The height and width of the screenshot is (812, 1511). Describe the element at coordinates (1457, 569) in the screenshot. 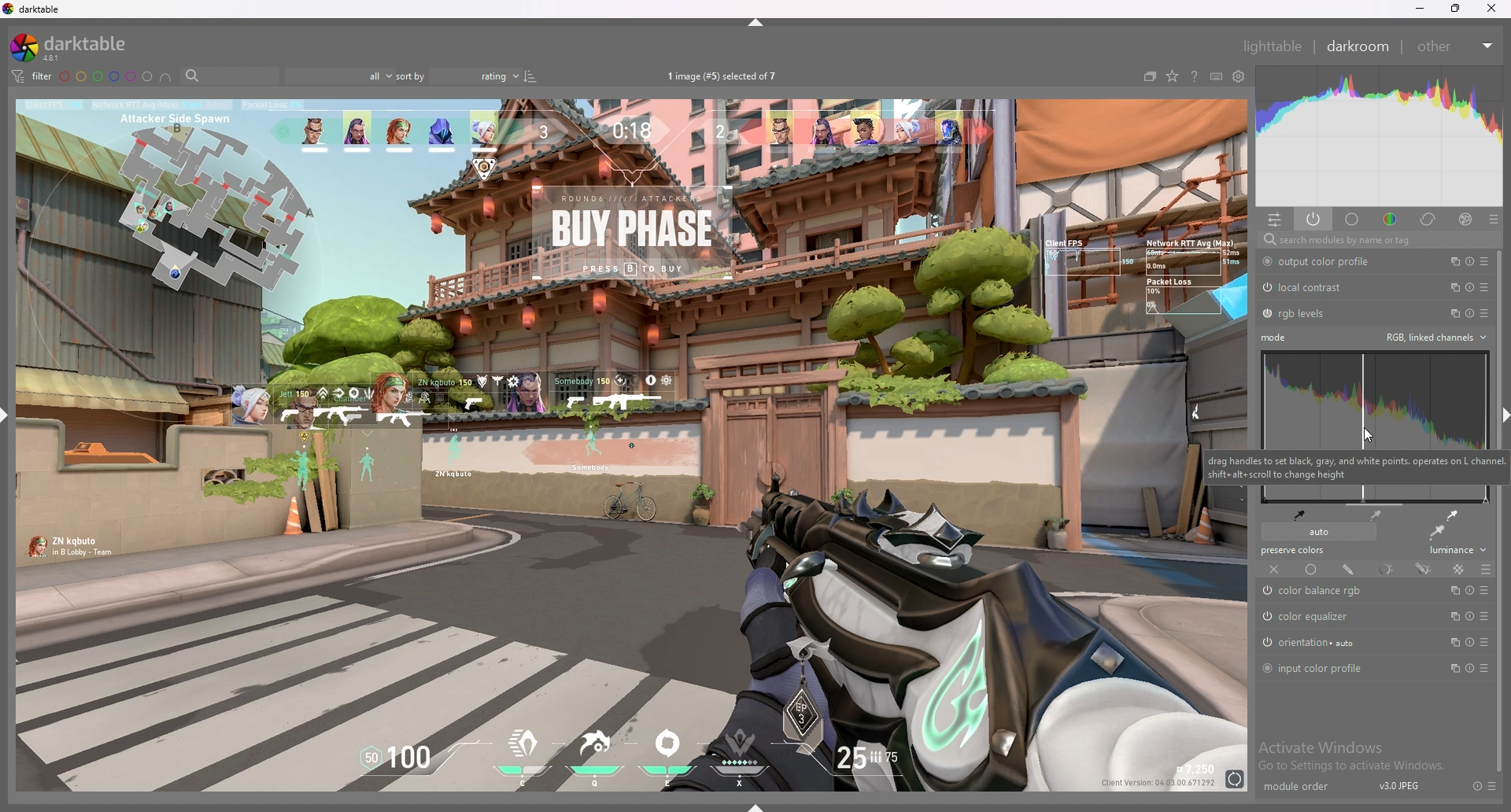

I see `raster mask` at that location.